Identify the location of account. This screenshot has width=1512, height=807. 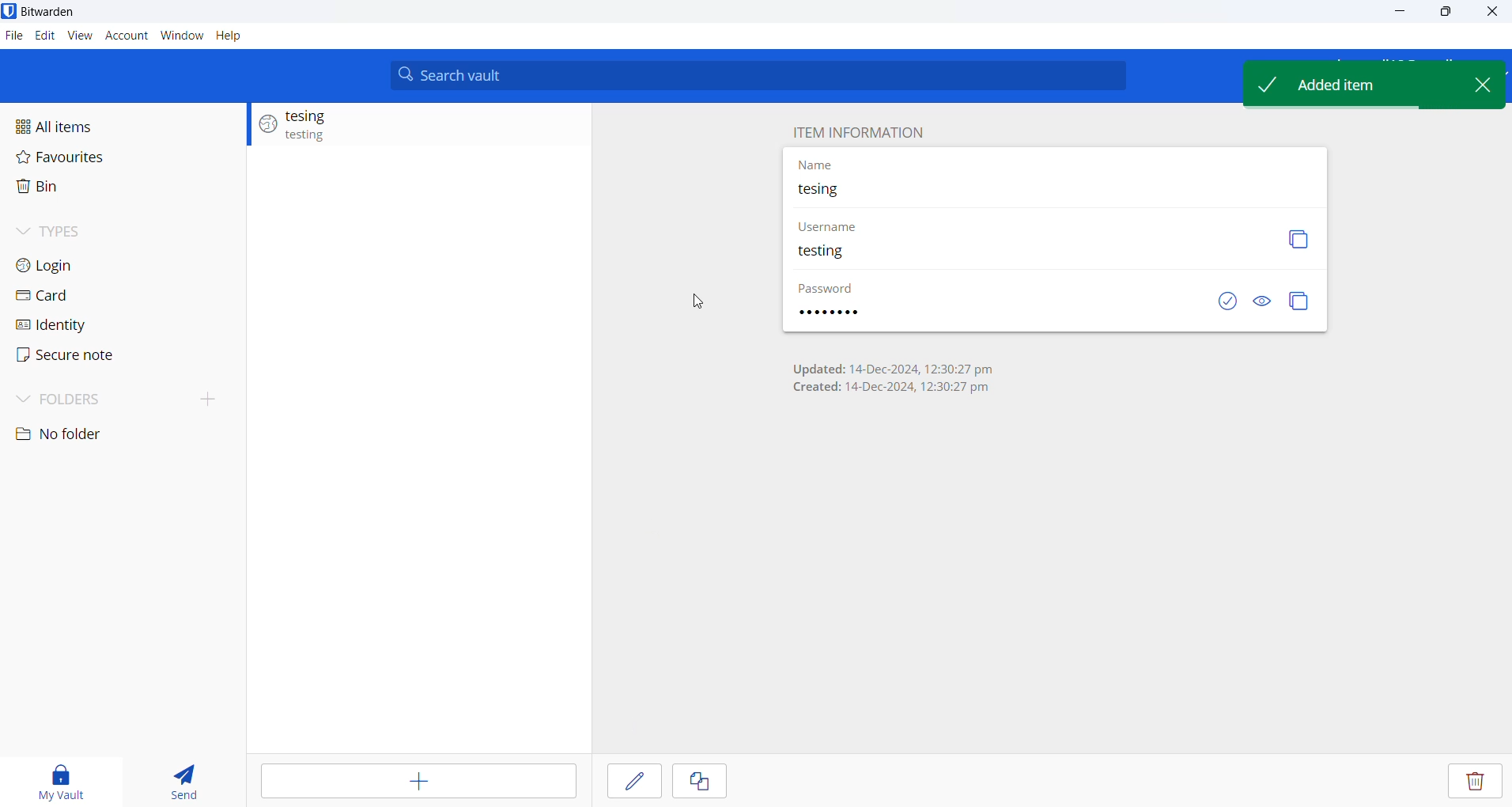
(127, 37).